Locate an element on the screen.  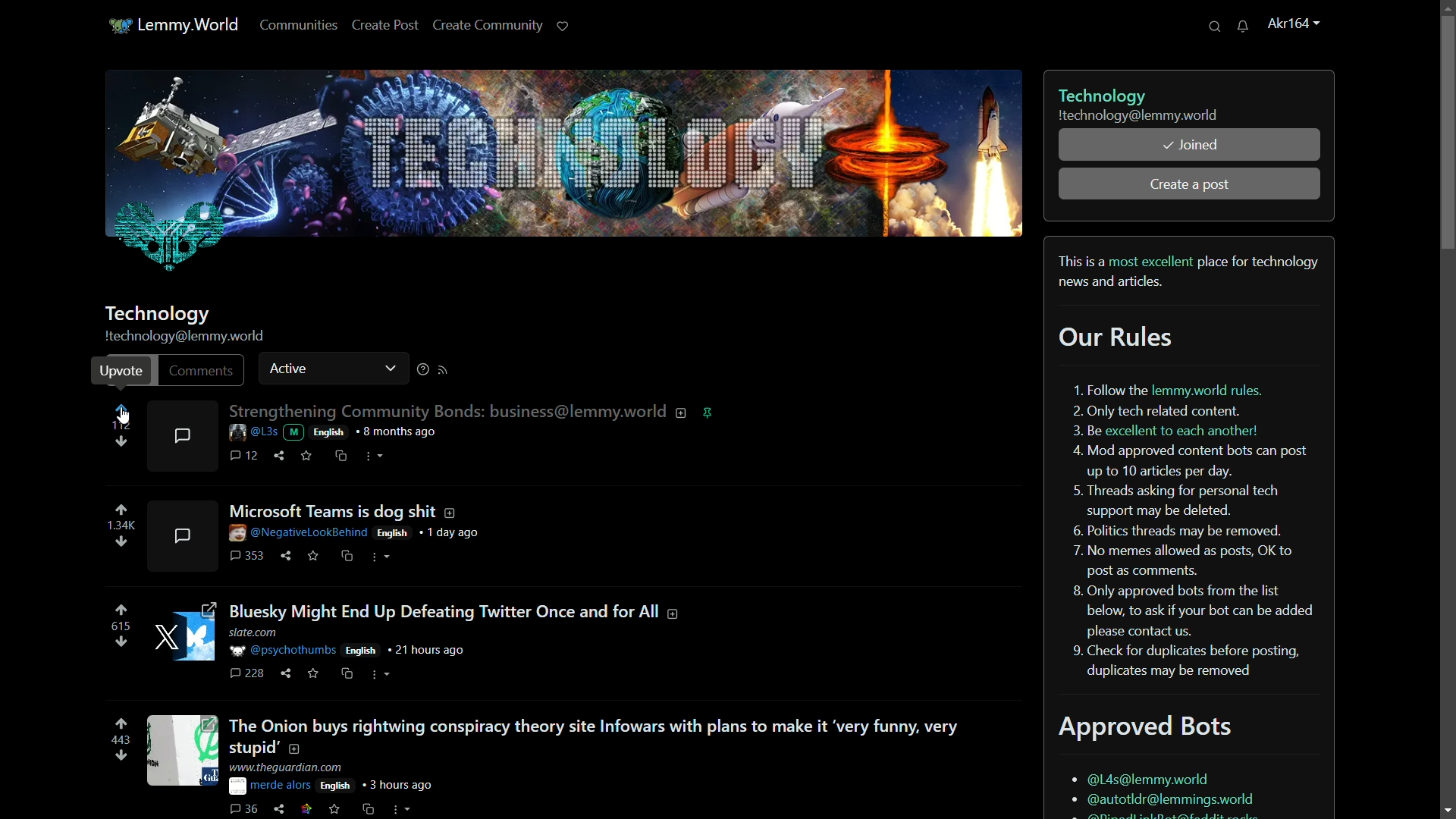
 is located at coordinates (180, 537).